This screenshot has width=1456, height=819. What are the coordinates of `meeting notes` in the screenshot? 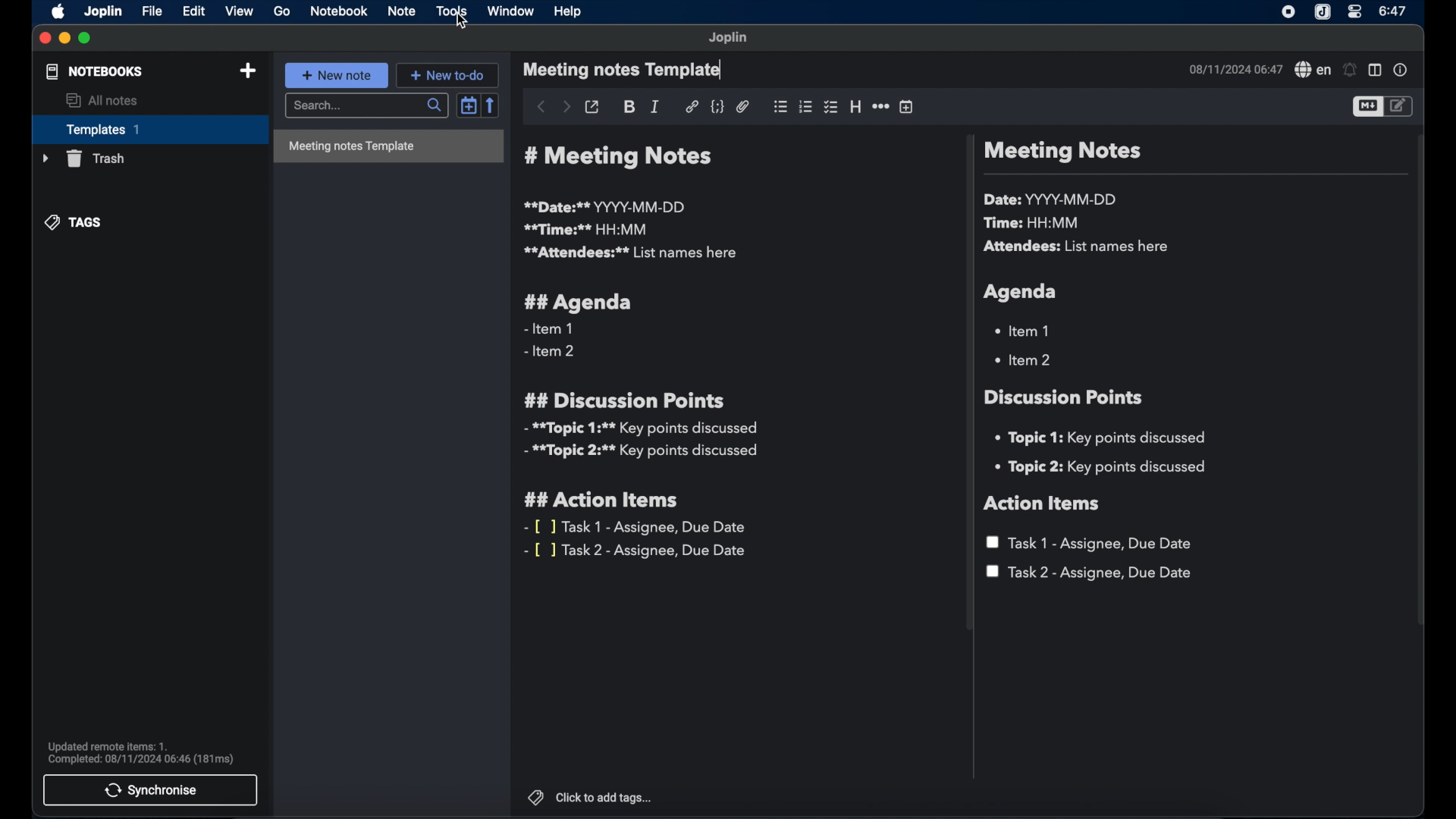 It's located at (1062, 152).